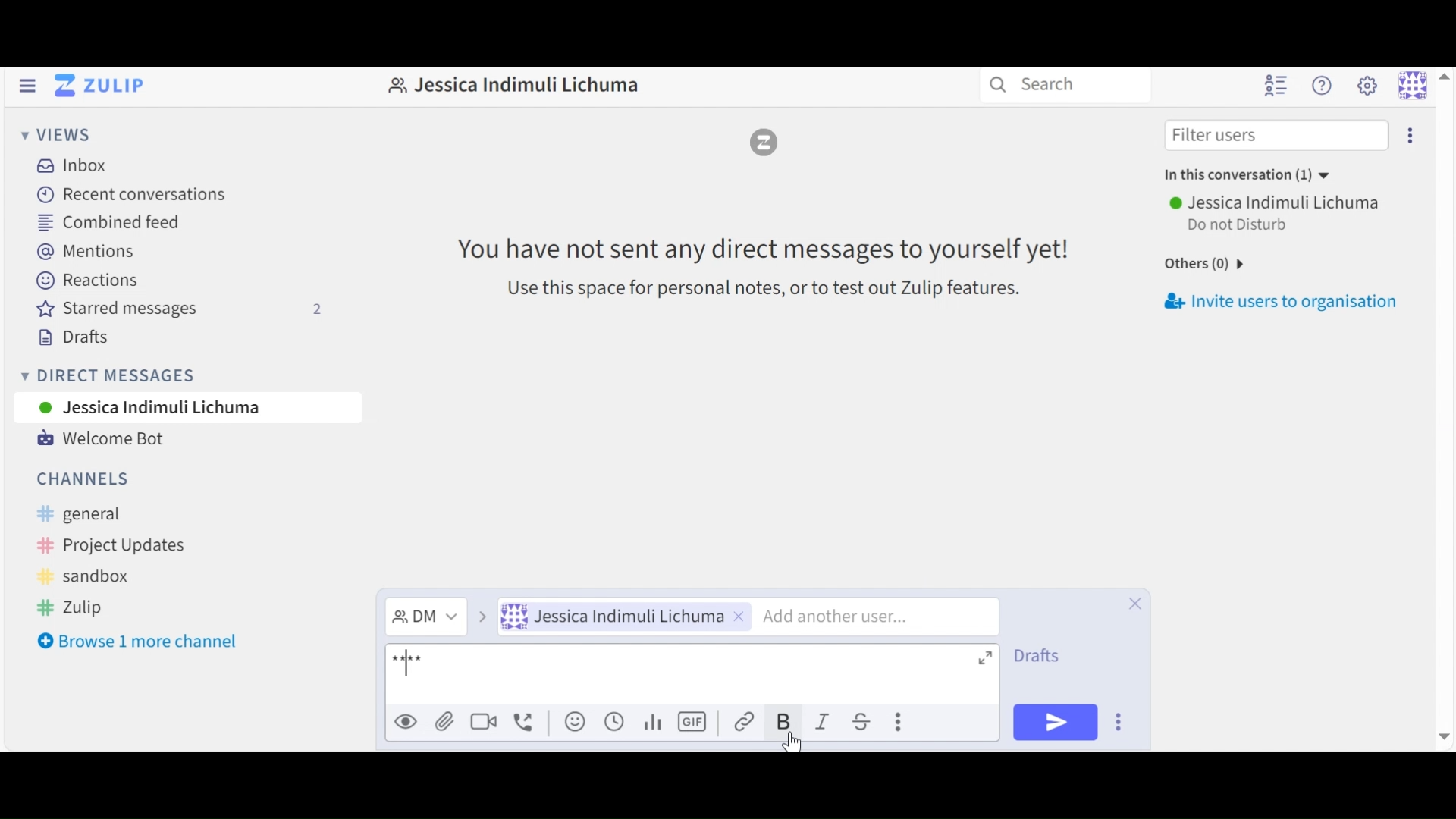  What do you see at coordinates (623, 617) in the screenshot?
I see `User` at bounding box center [623, 617].